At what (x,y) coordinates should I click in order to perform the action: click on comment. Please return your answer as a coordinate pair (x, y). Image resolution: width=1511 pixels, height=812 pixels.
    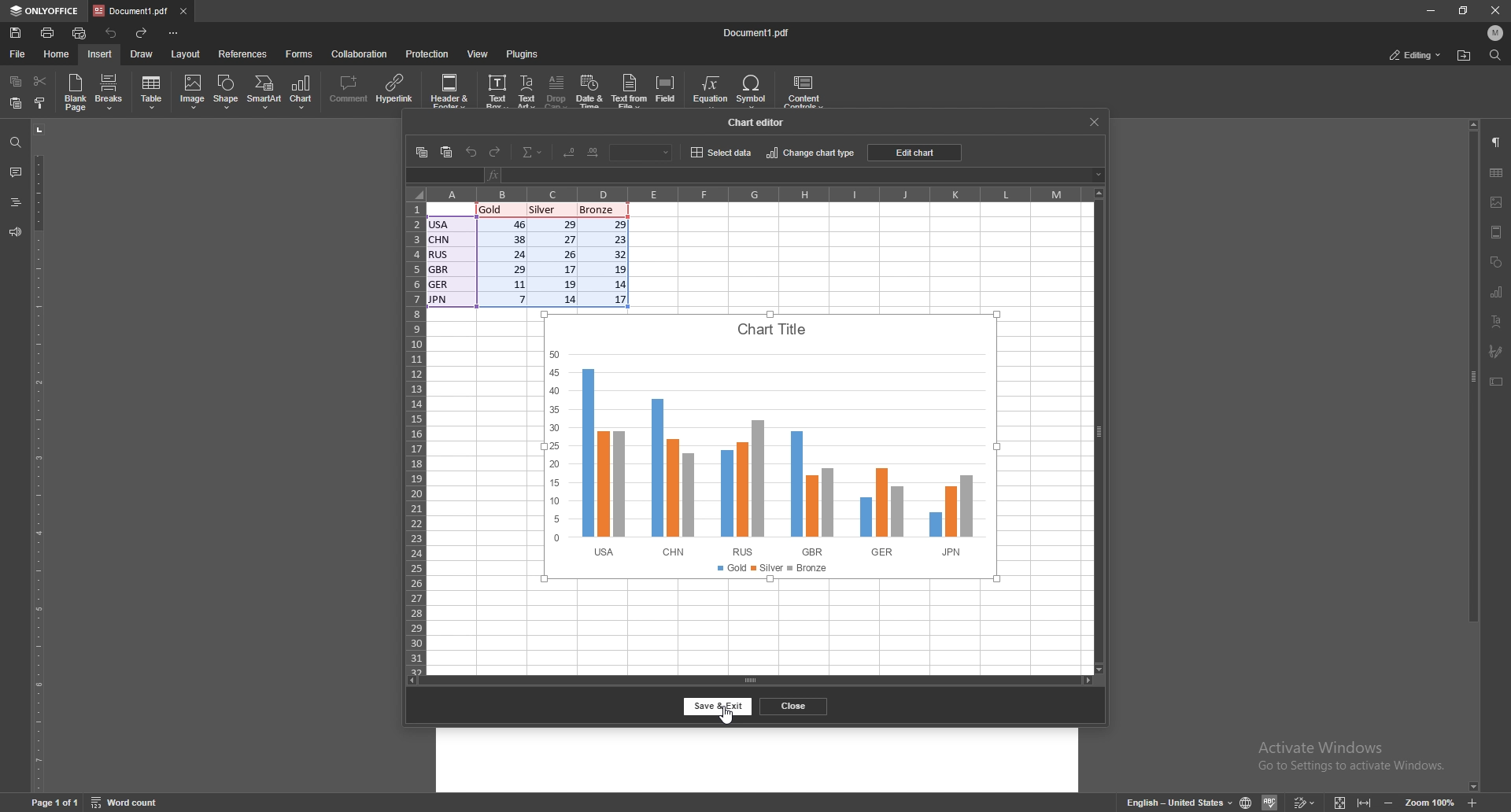
    Looking at the image, I should click on (16, 172).